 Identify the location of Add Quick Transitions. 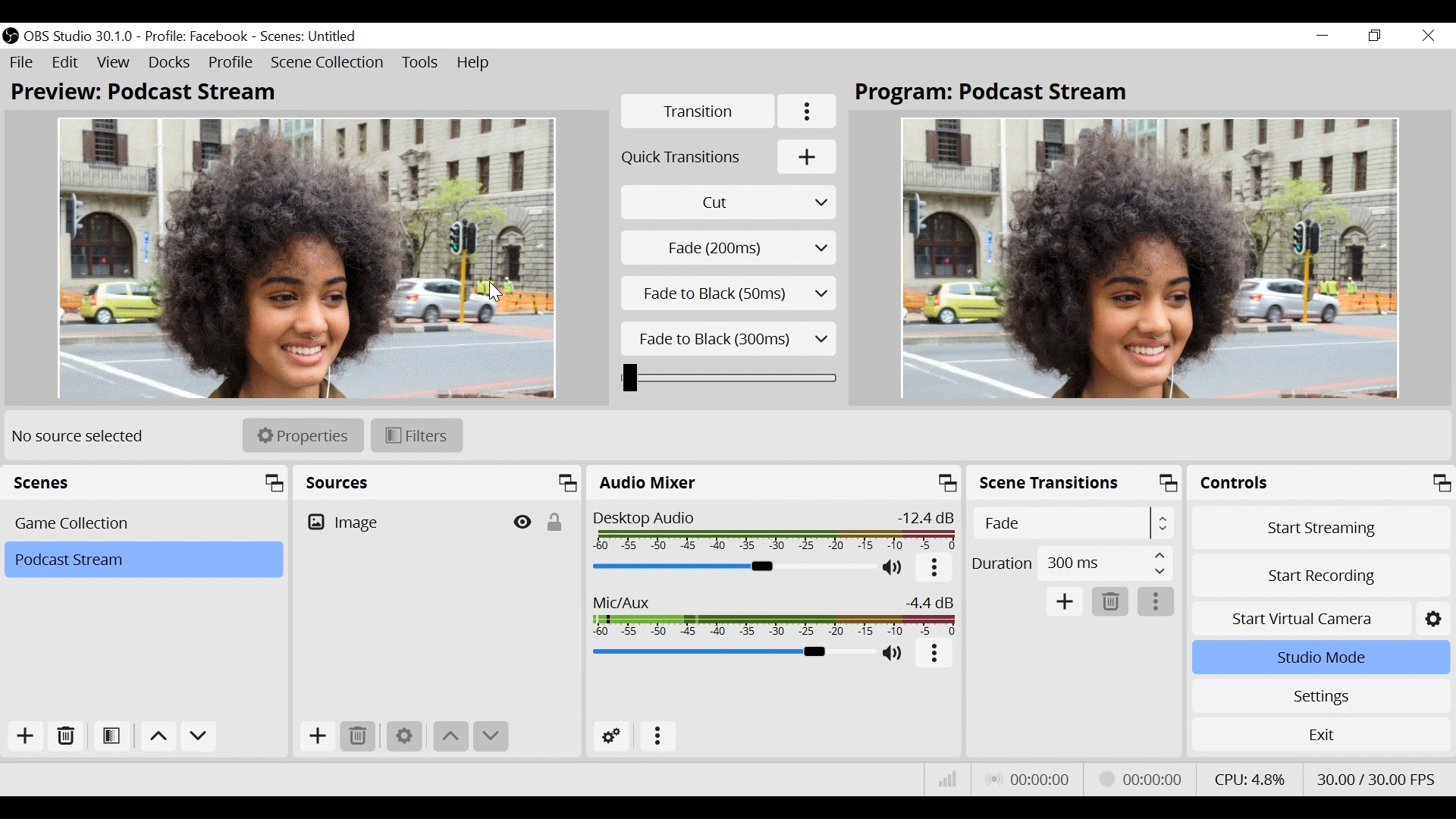
(731, 156).